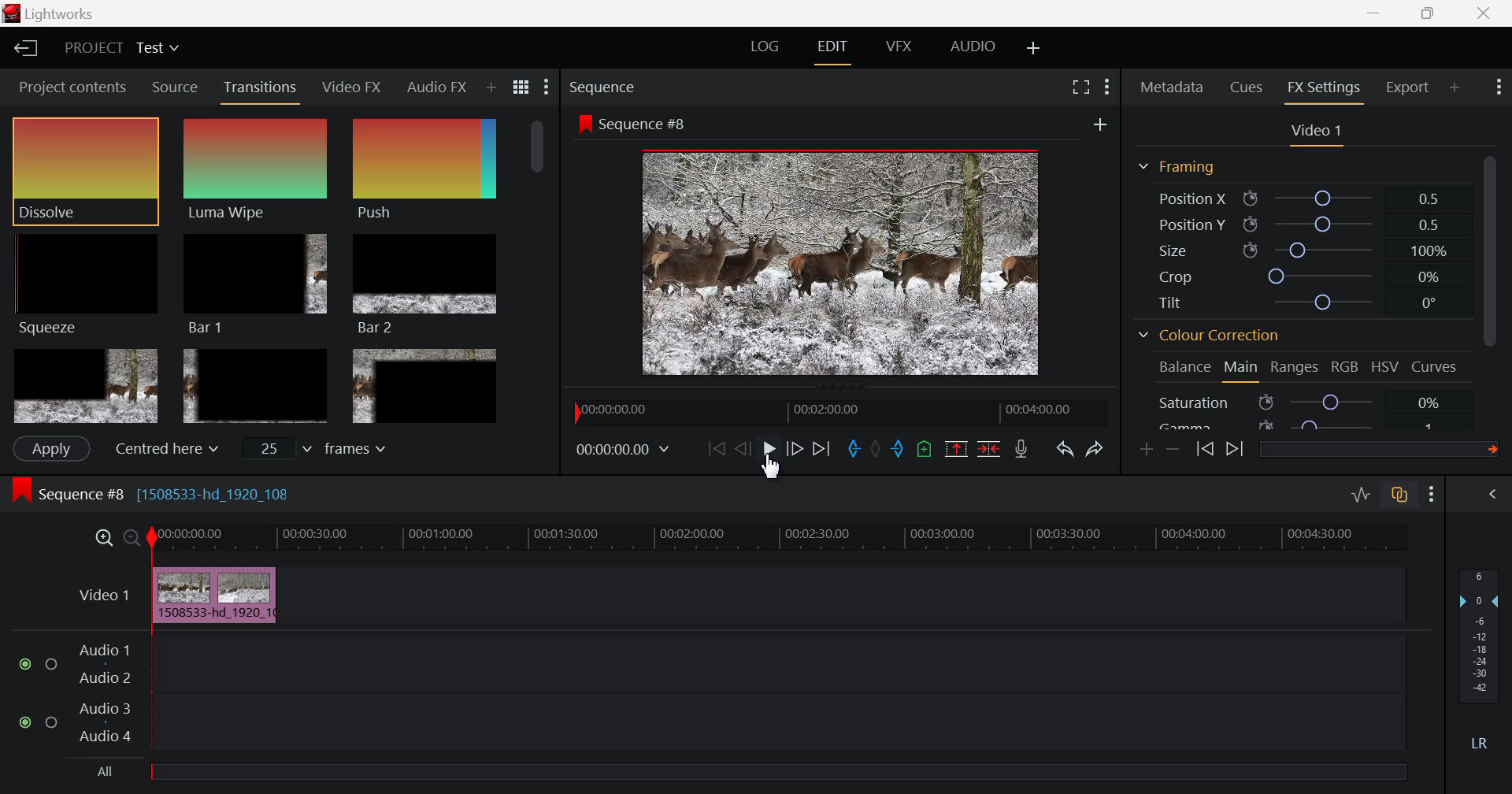 This screenshot has height=794, width=1512. I want to click on Remove the marked section, so click(956, 447).